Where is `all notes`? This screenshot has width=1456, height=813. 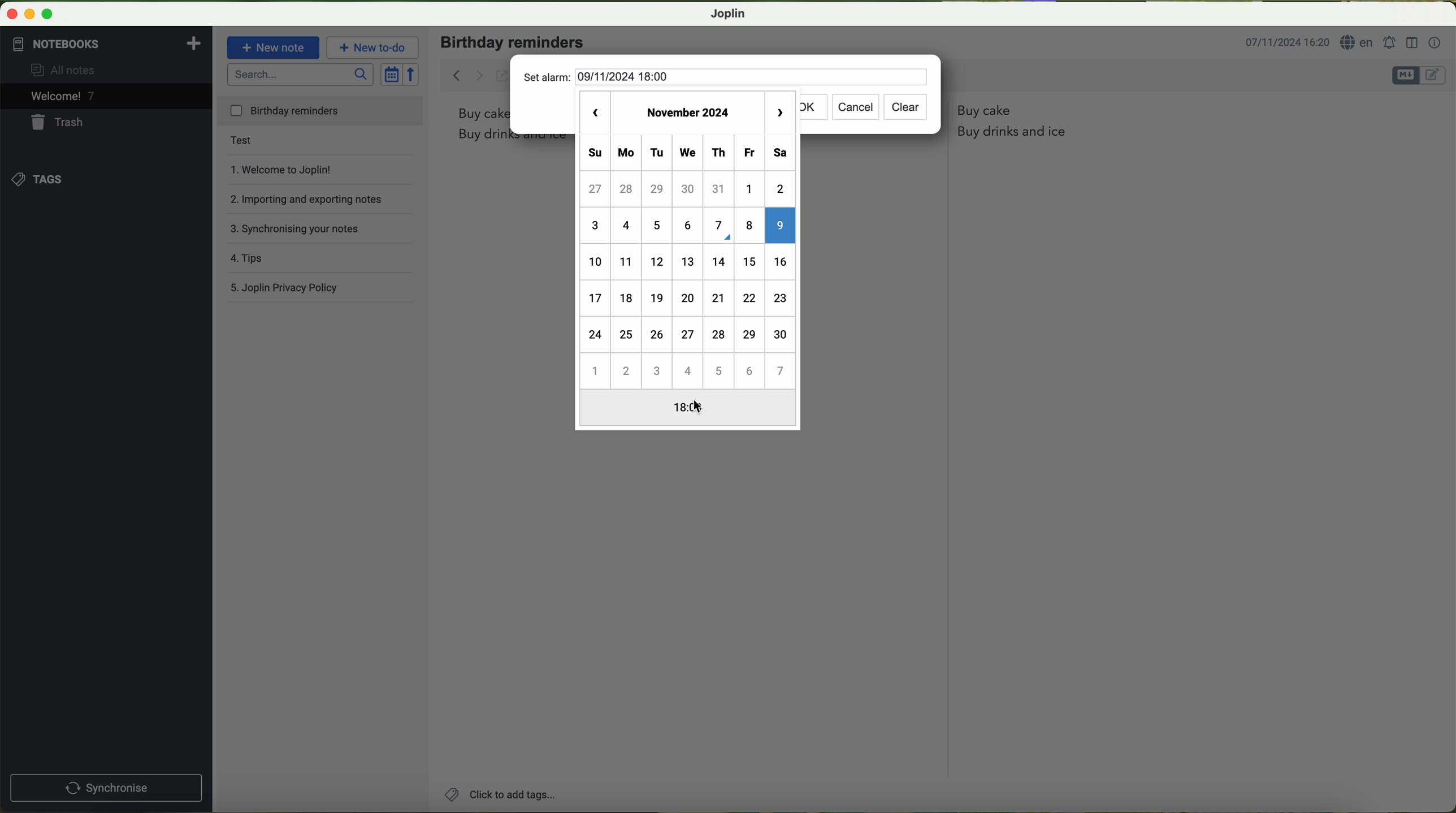 all notes is located at coordinates (75, 71).